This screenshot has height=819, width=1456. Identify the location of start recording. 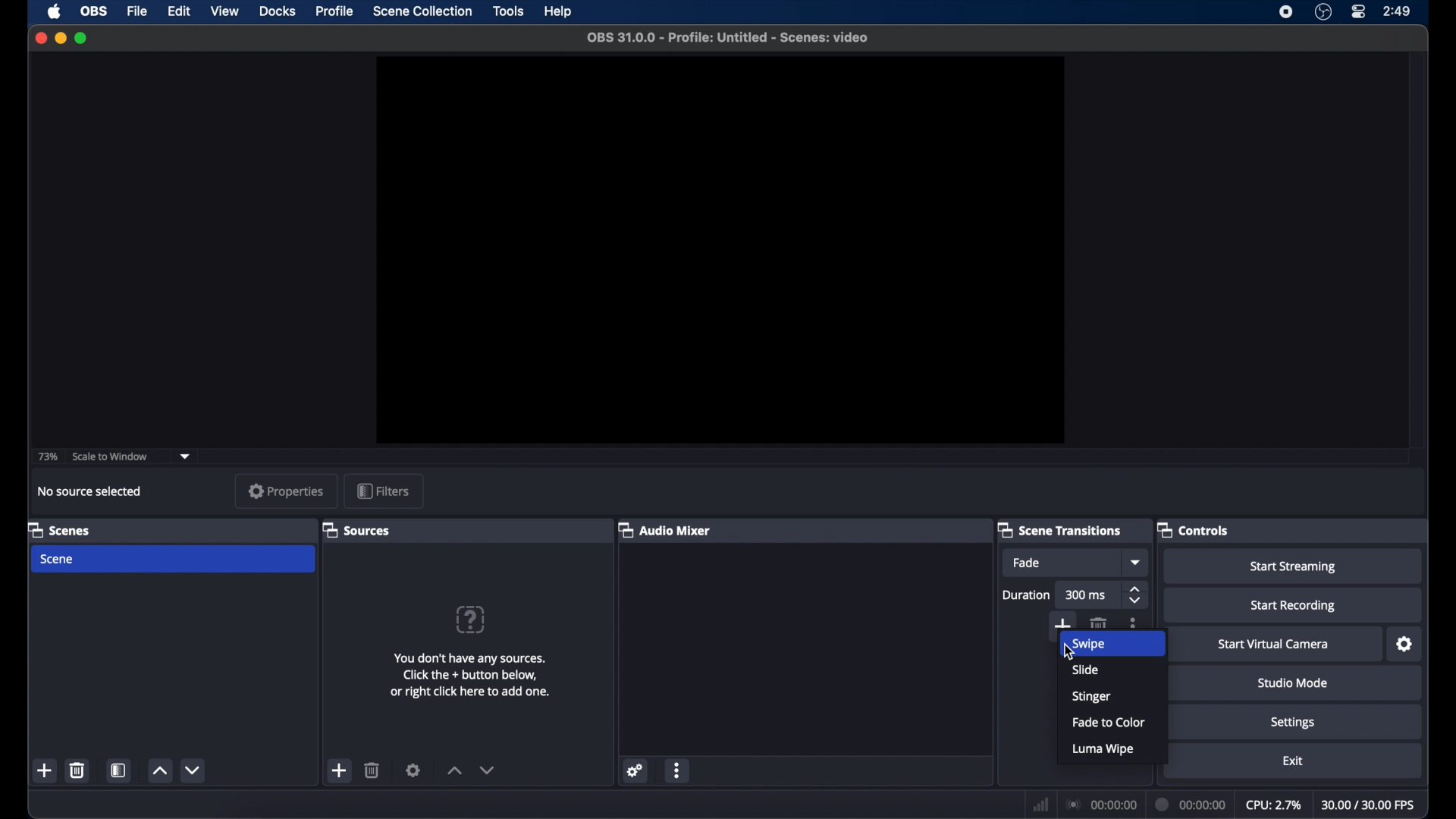
(1293, 606).